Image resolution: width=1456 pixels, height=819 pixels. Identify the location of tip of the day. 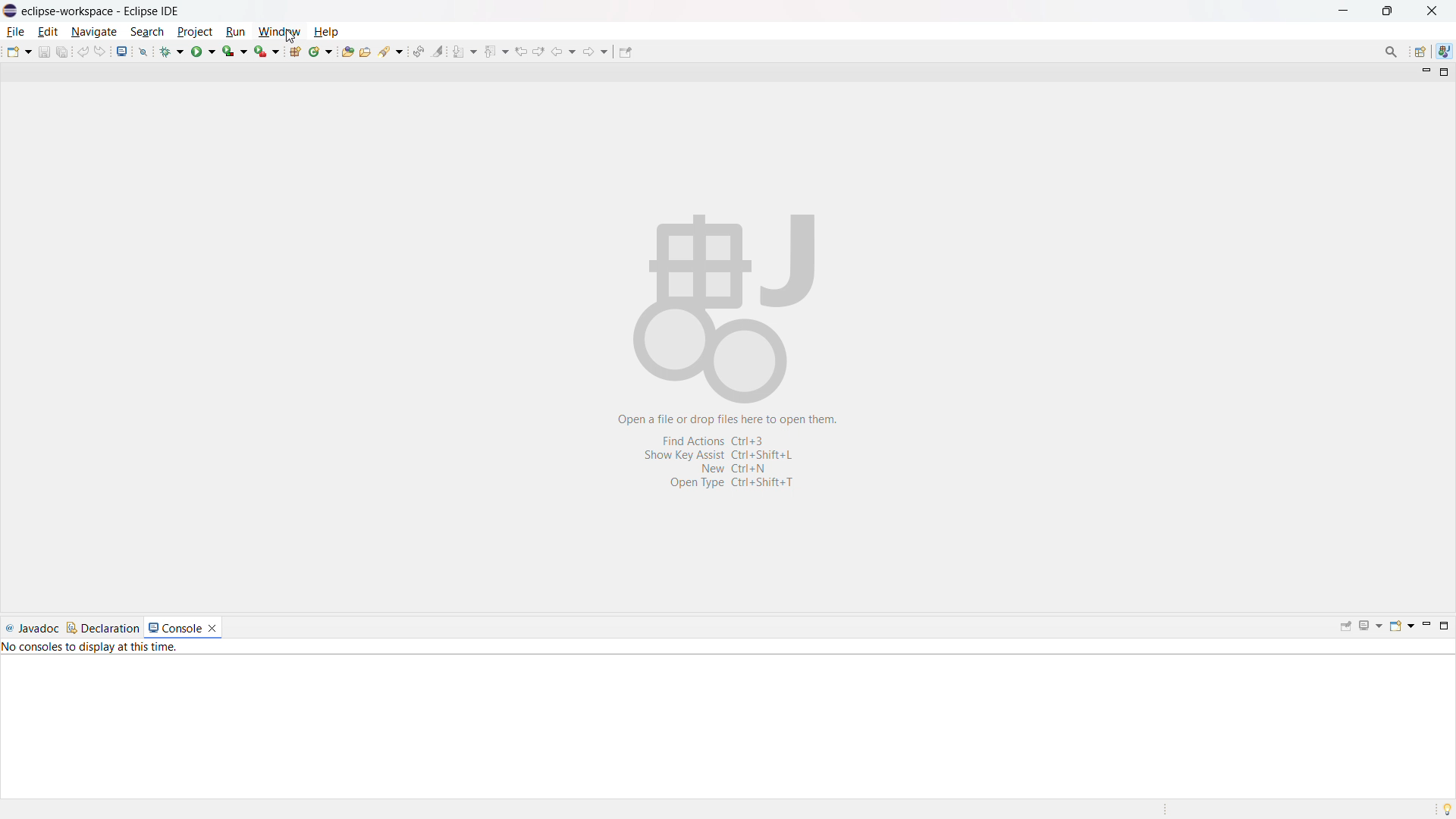
(1444, 808).